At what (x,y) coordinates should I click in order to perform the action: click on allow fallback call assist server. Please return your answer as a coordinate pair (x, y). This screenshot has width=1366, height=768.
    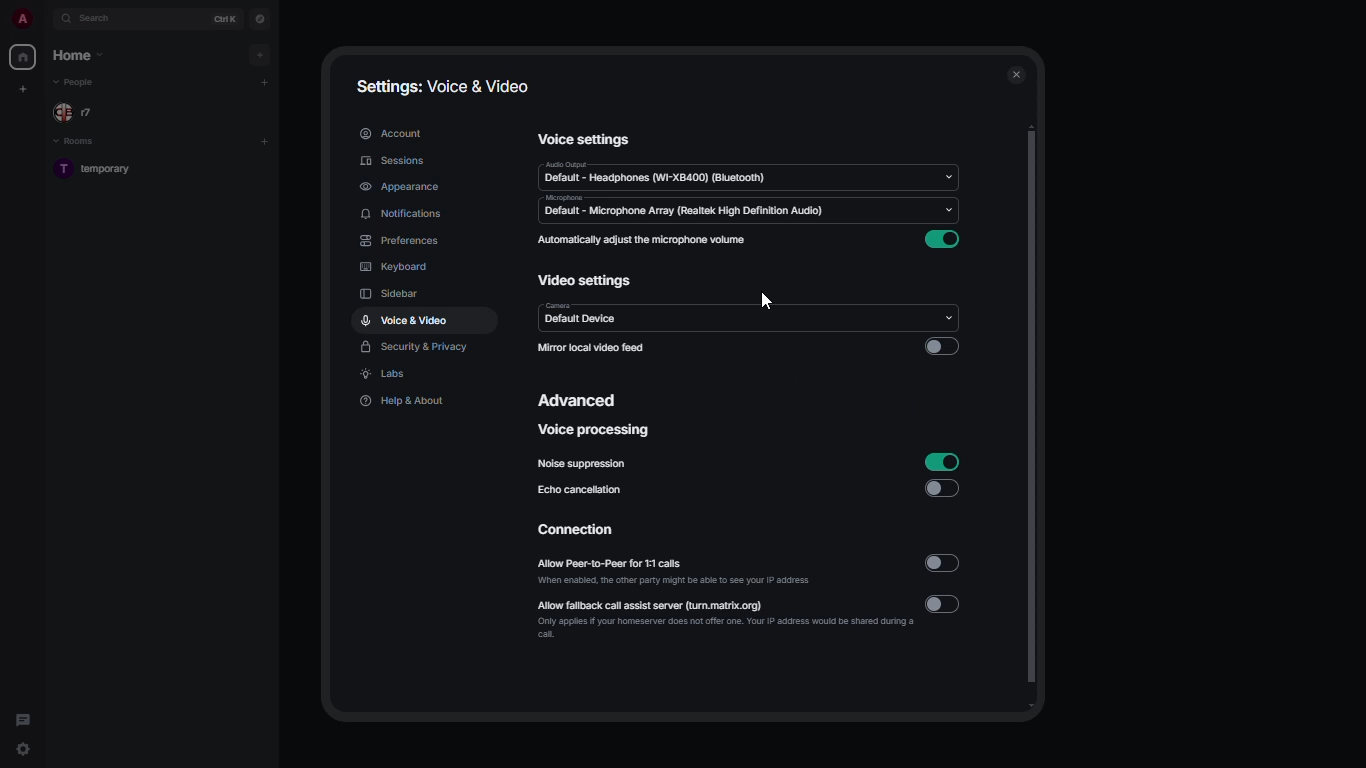
    Looking at the image, I should click on (725, 618).